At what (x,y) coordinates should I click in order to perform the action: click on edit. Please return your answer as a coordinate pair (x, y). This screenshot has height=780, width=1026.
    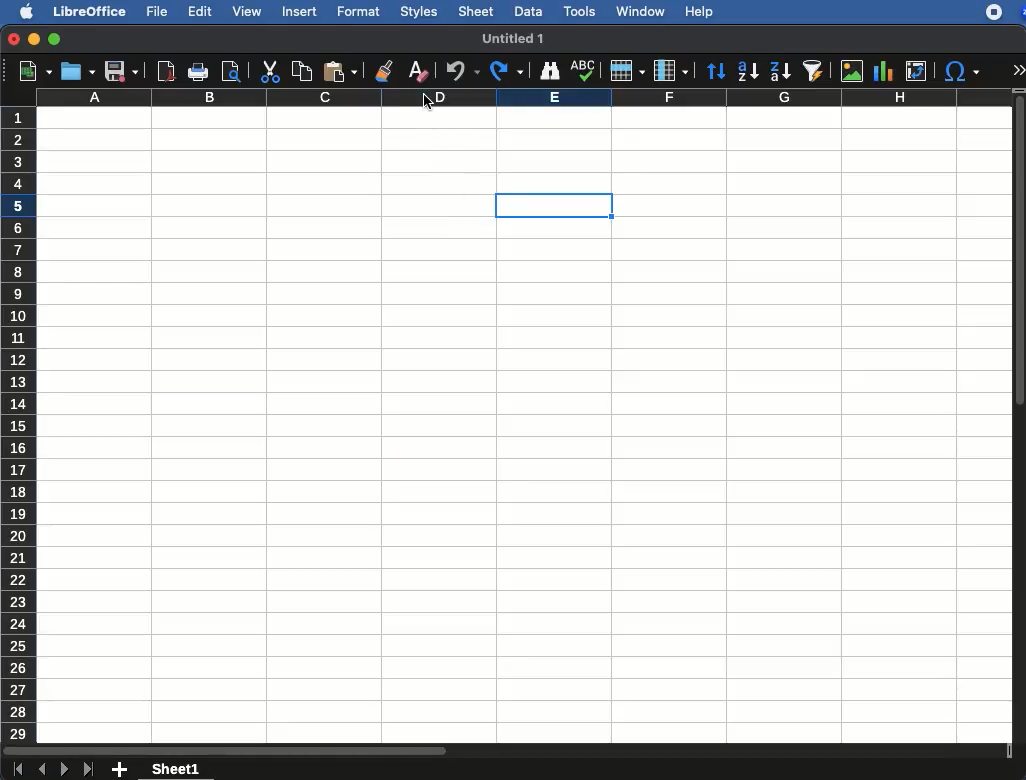
    Looking at the image, I should click on (200, 11).